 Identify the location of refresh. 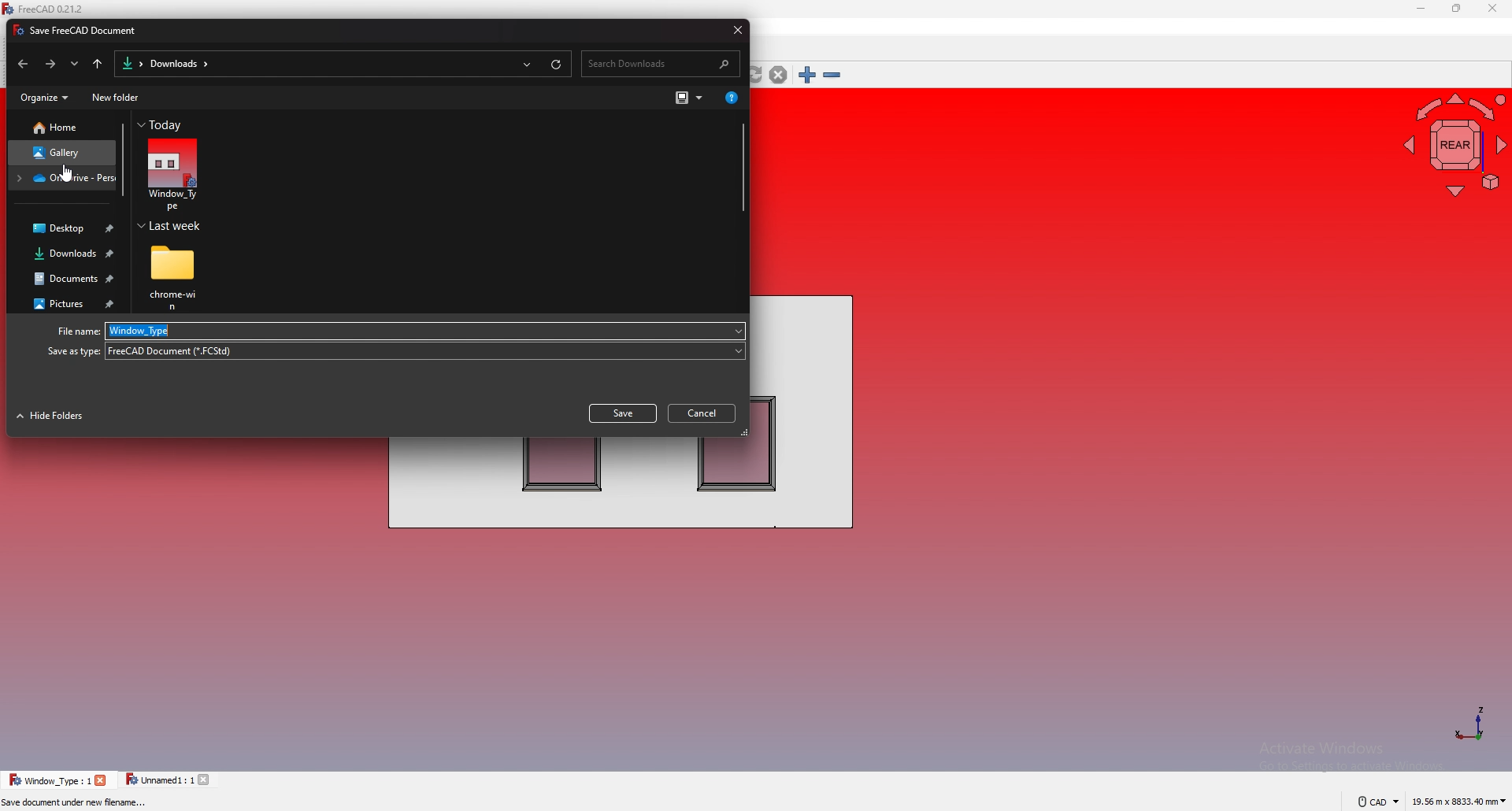
(557, 62).